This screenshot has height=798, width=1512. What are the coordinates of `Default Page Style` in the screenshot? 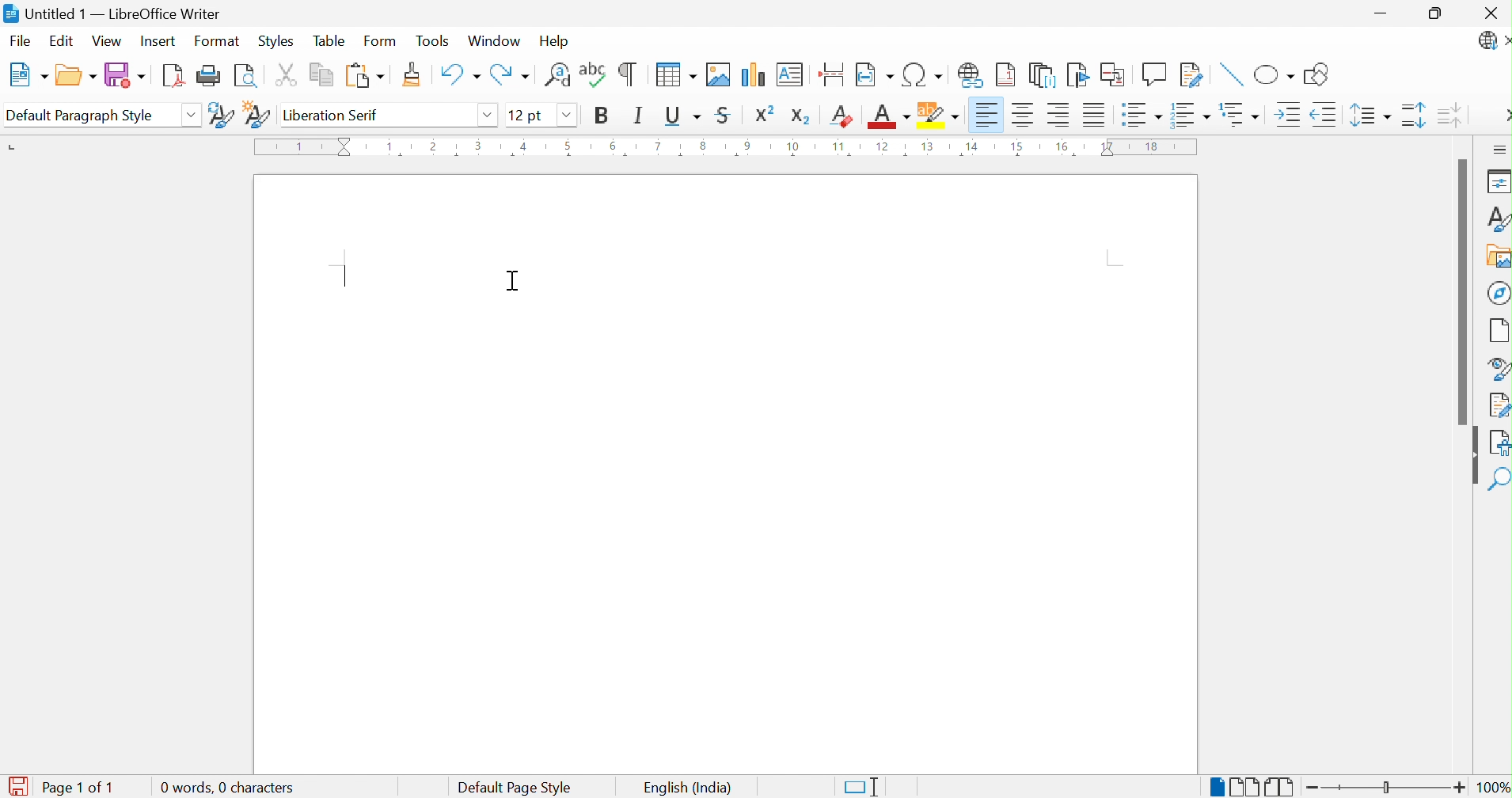 It's located at (516, 786).